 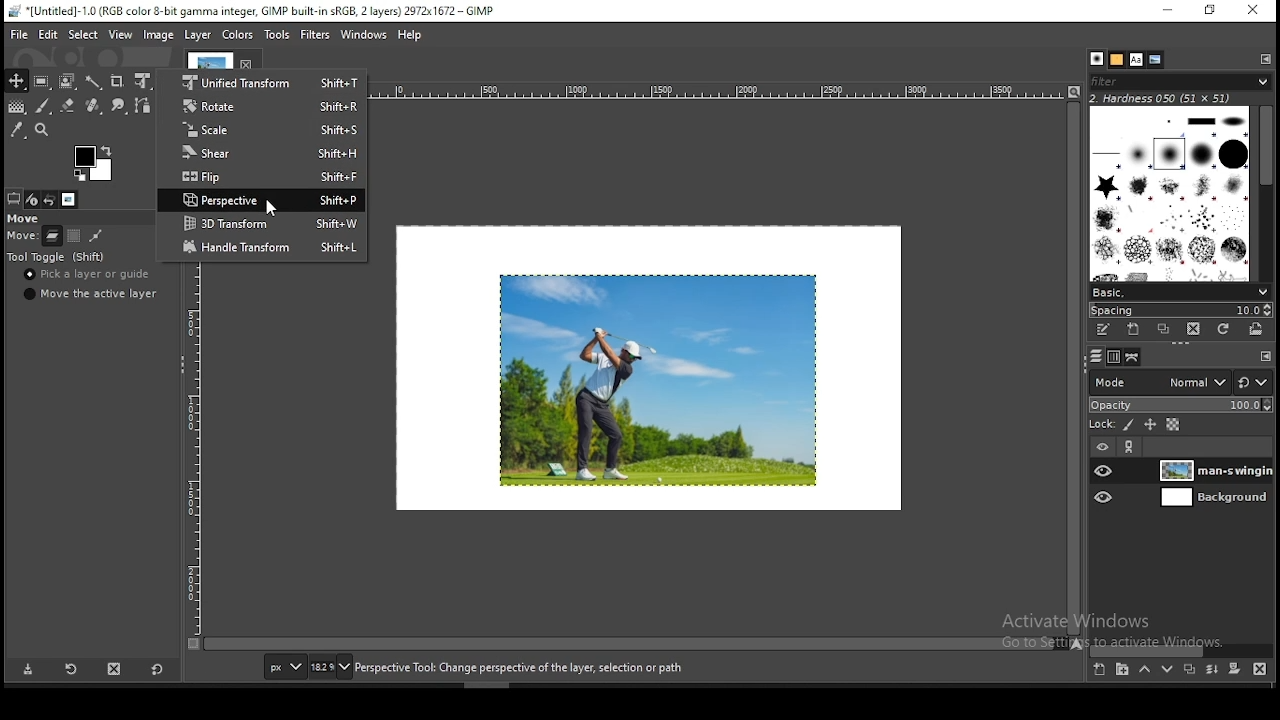 I want to click on perspective tool: change perspective of the layer, selection or path, so click(x=519, y=669).